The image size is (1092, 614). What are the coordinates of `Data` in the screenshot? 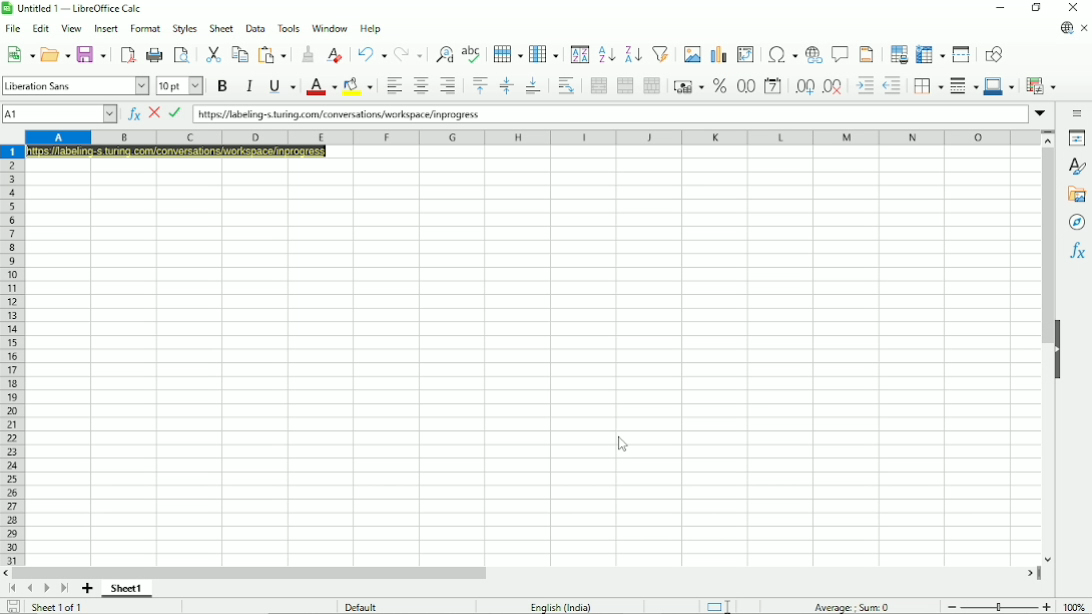 It's located at (256, 27).